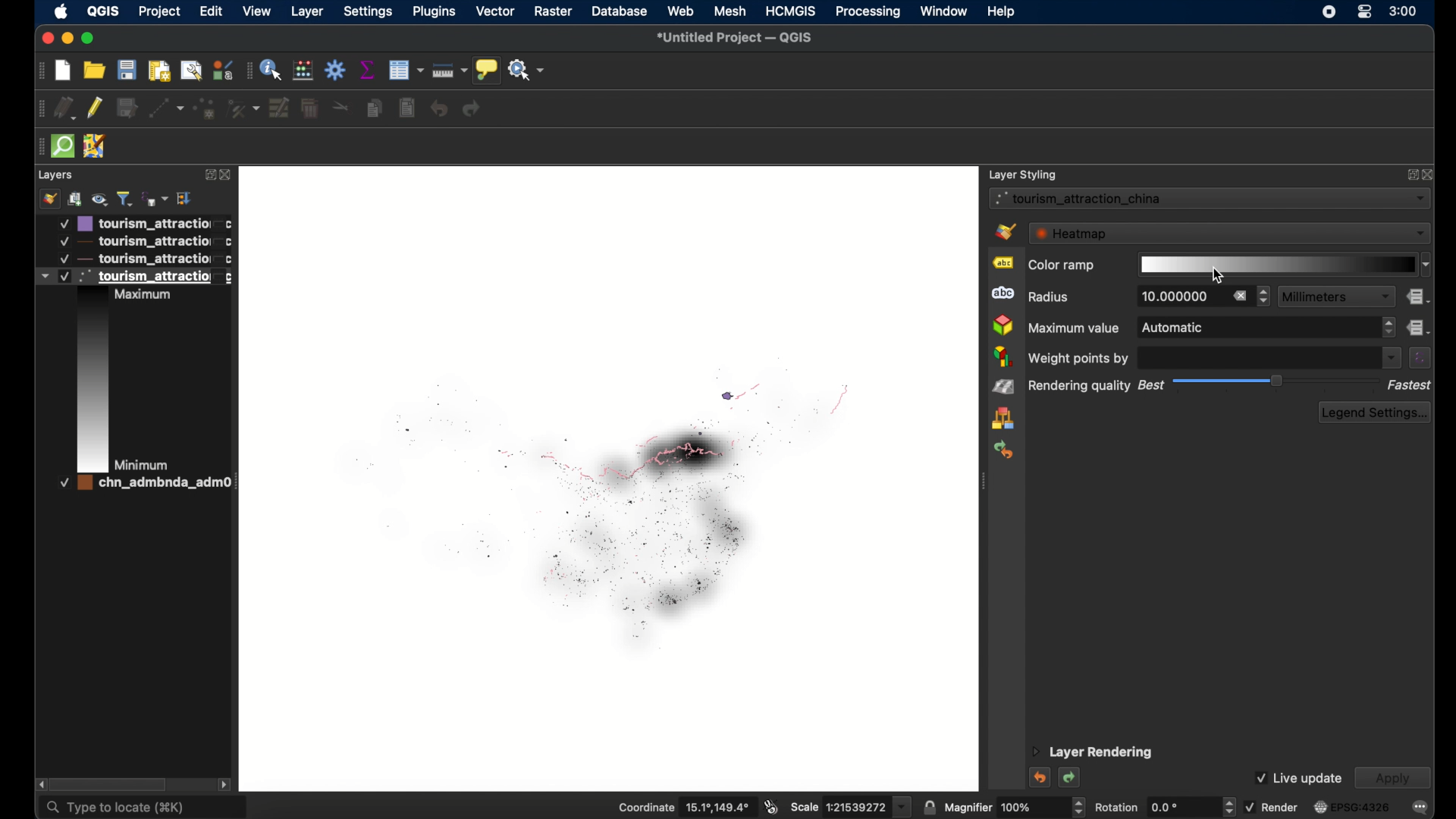 This screenshot has height=819, width=1456. I want to click on add group, so click(75, 199).